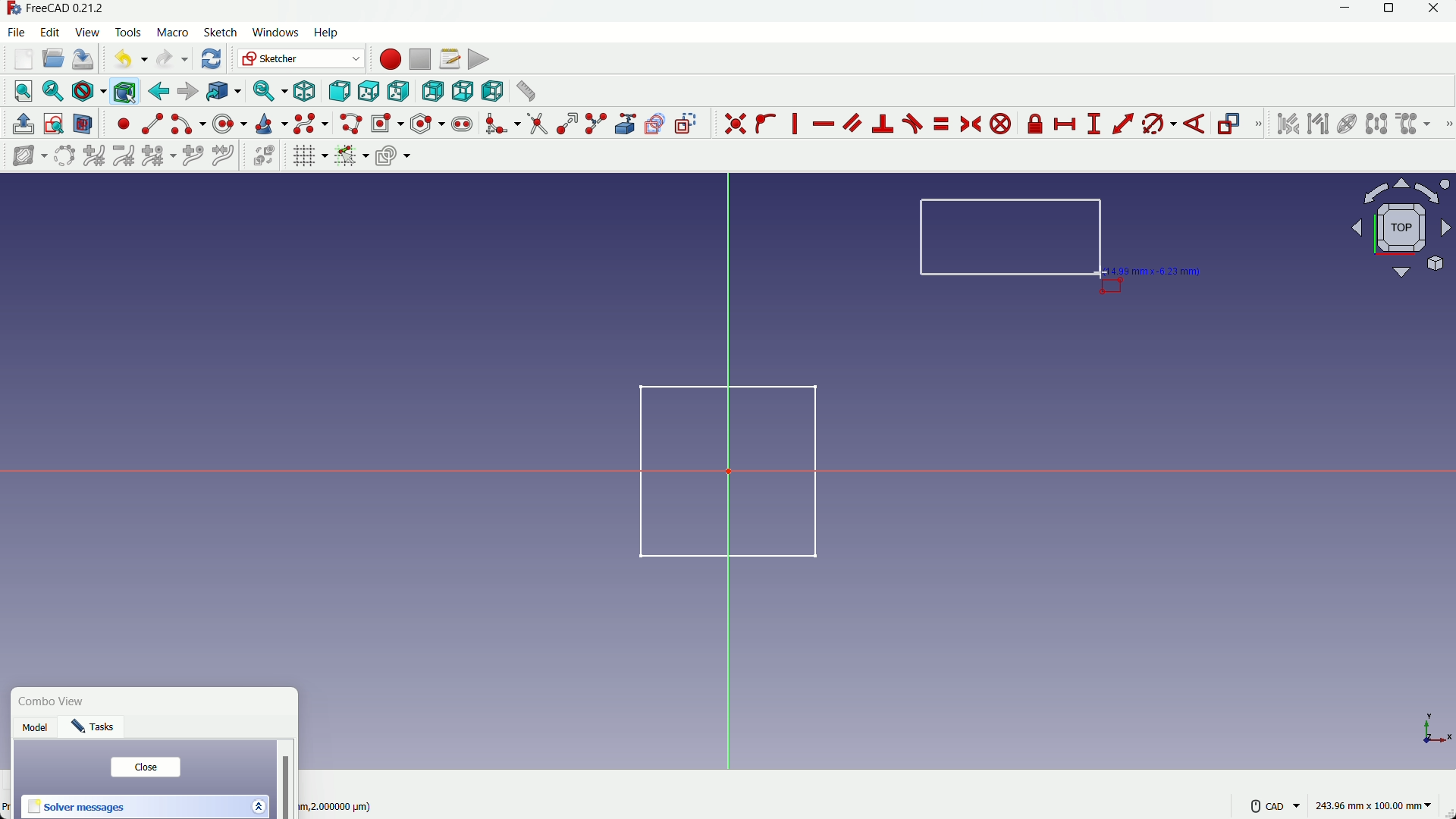 The height and width of the screenshot is (819, 1456). Describe the element at coordinates (798, 124) in the screenshot. I see `constraint vertical` at that location.